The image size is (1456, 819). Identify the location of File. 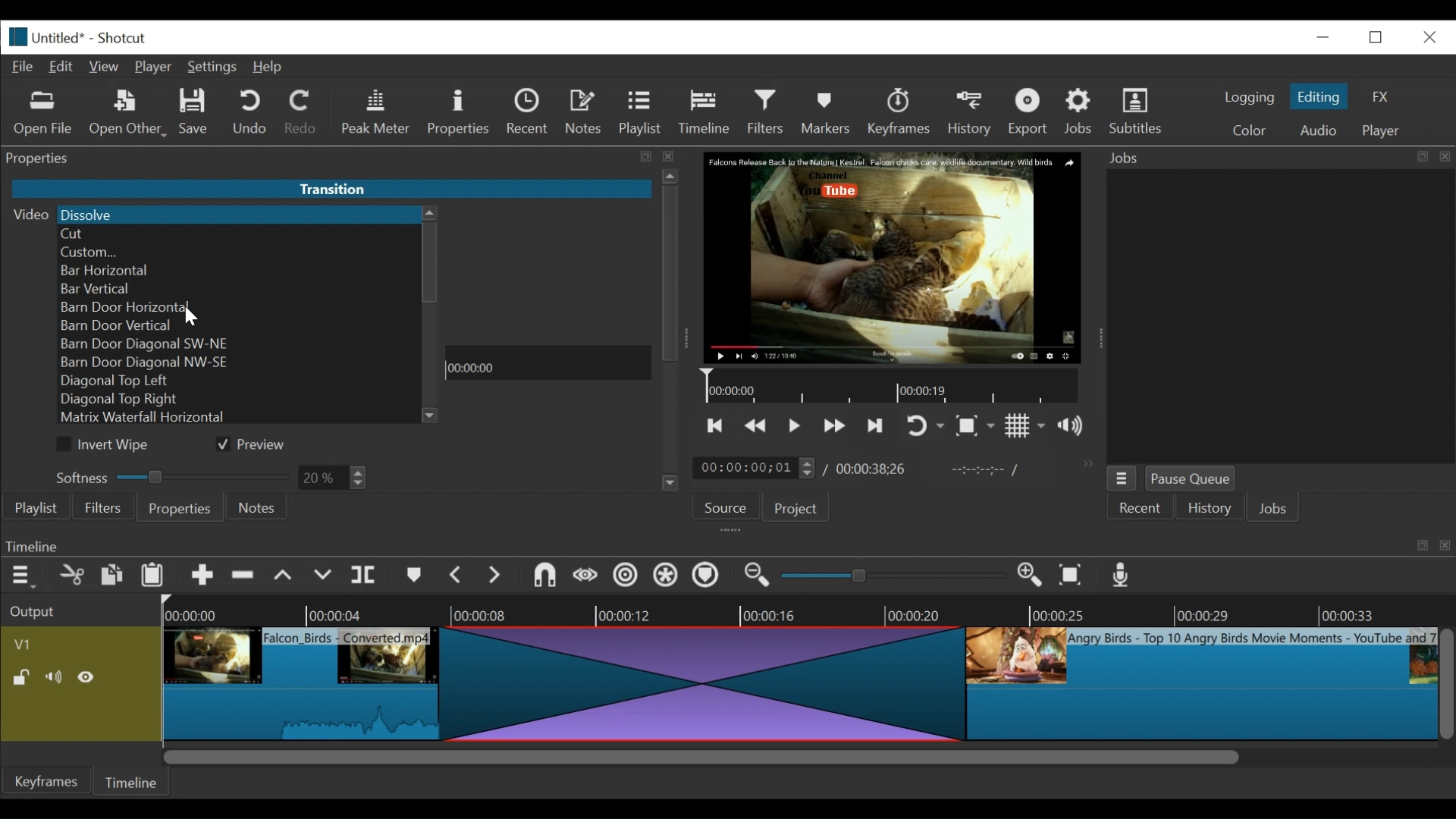
(26, 67).